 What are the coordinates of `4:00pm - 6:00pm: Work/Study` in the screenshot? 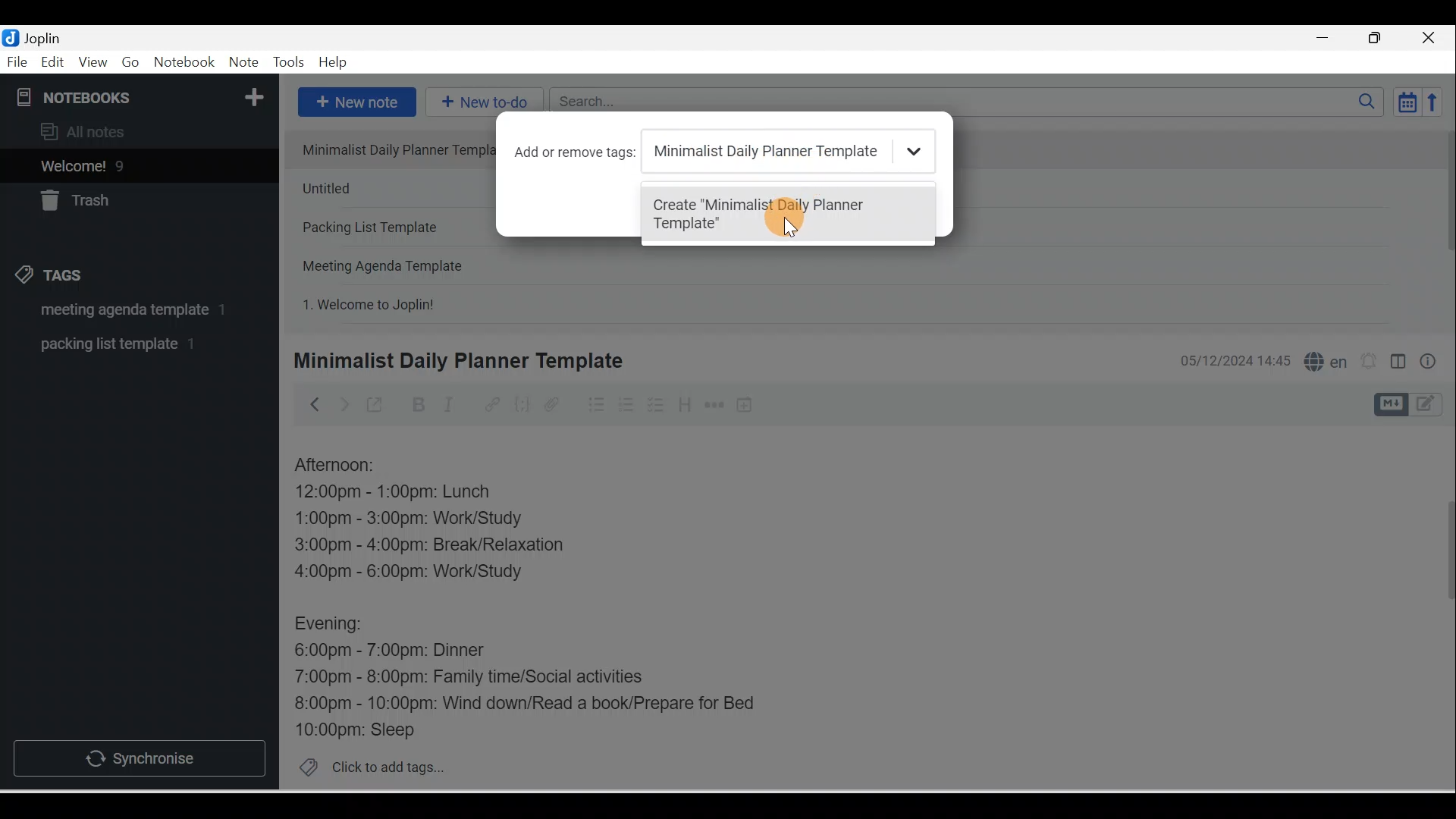 It's located at (415, 572).